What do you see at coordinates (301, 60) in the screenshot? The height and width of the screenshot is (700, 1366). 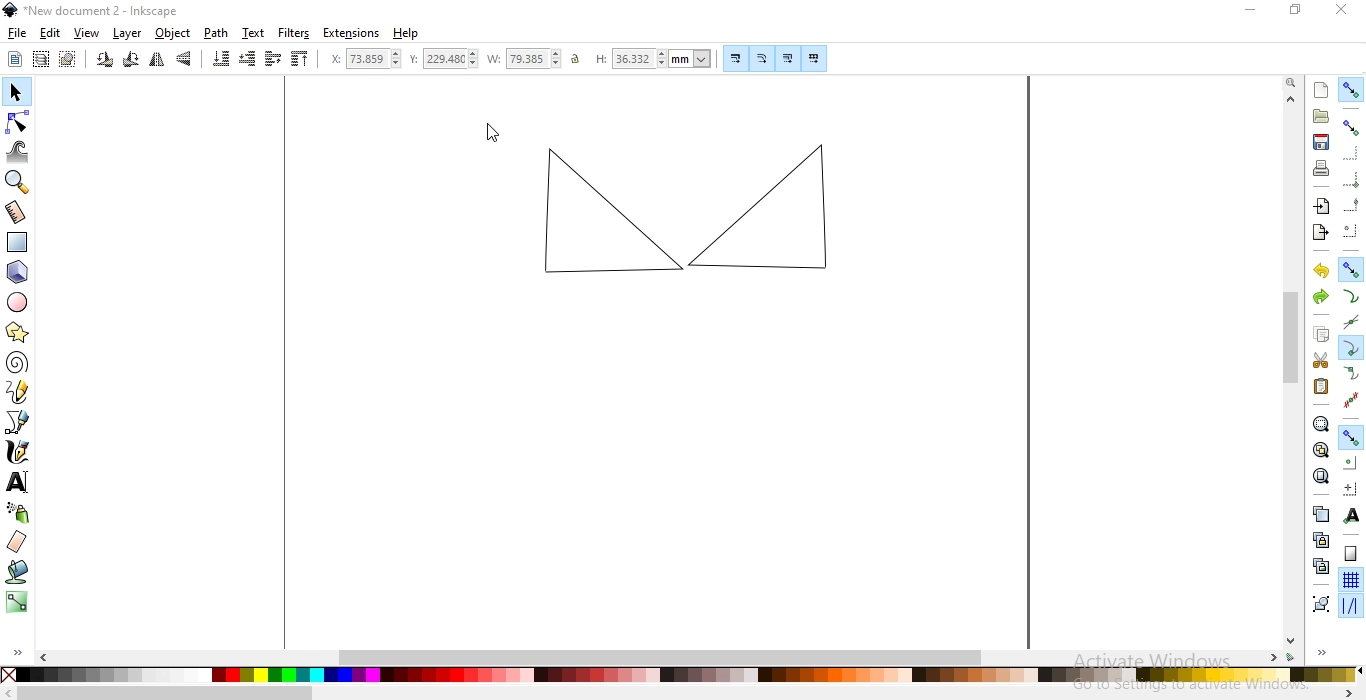 I see `raise selection to top` at bounding box center [301, 60].